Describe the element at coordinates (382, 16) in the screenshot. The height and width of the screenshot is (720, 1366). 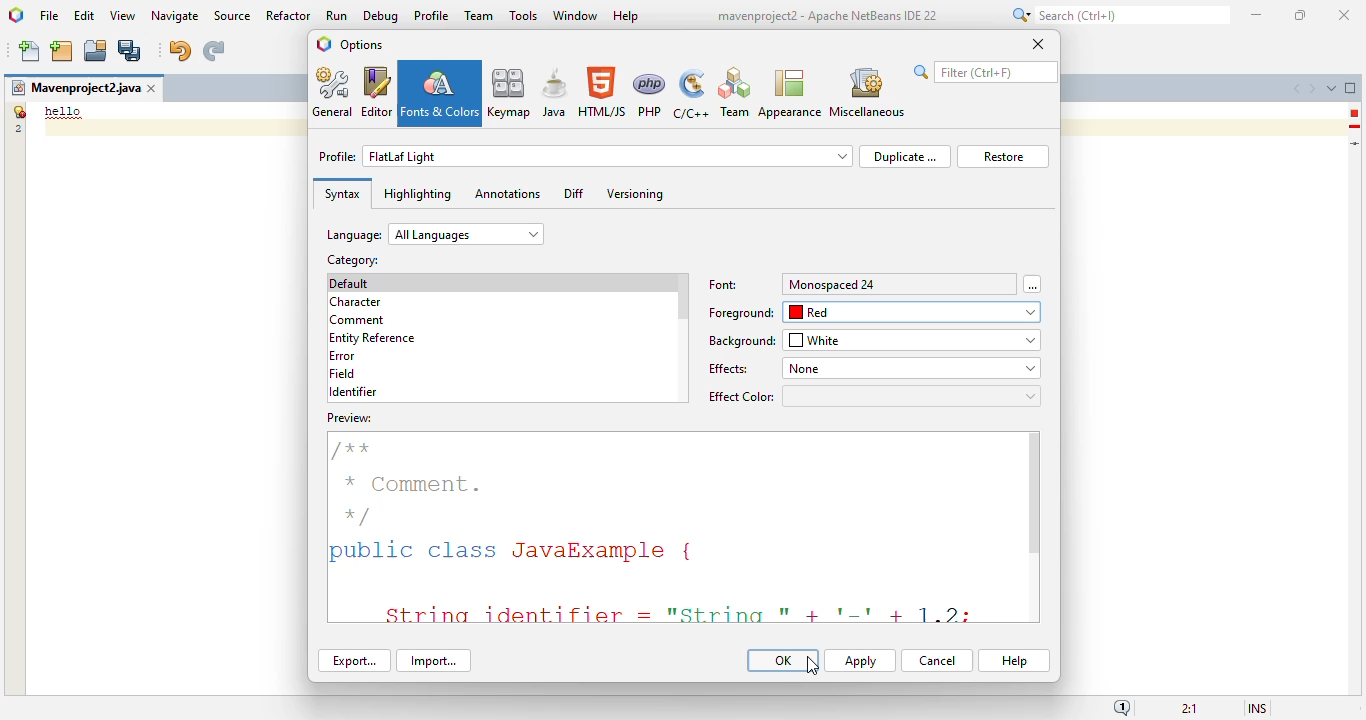
I see `debug` at that location.